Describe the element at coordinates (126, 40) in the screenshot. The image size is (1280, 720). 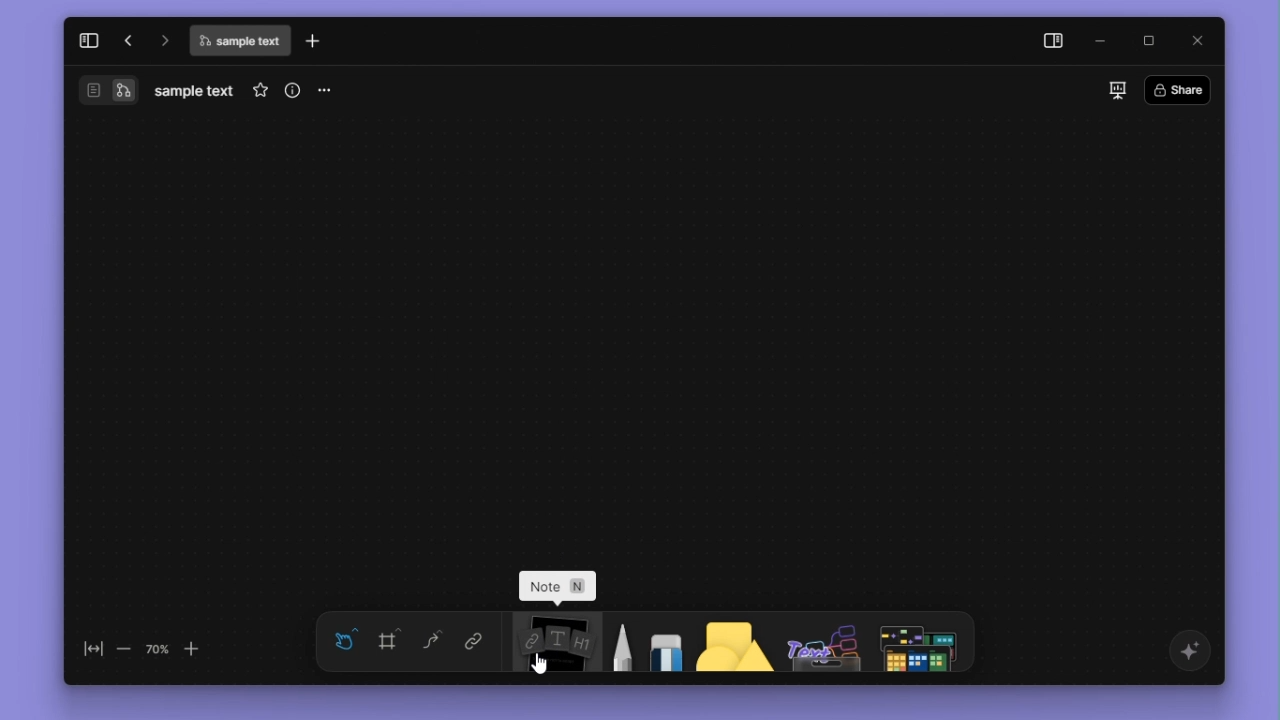
I see `go back` at that location.